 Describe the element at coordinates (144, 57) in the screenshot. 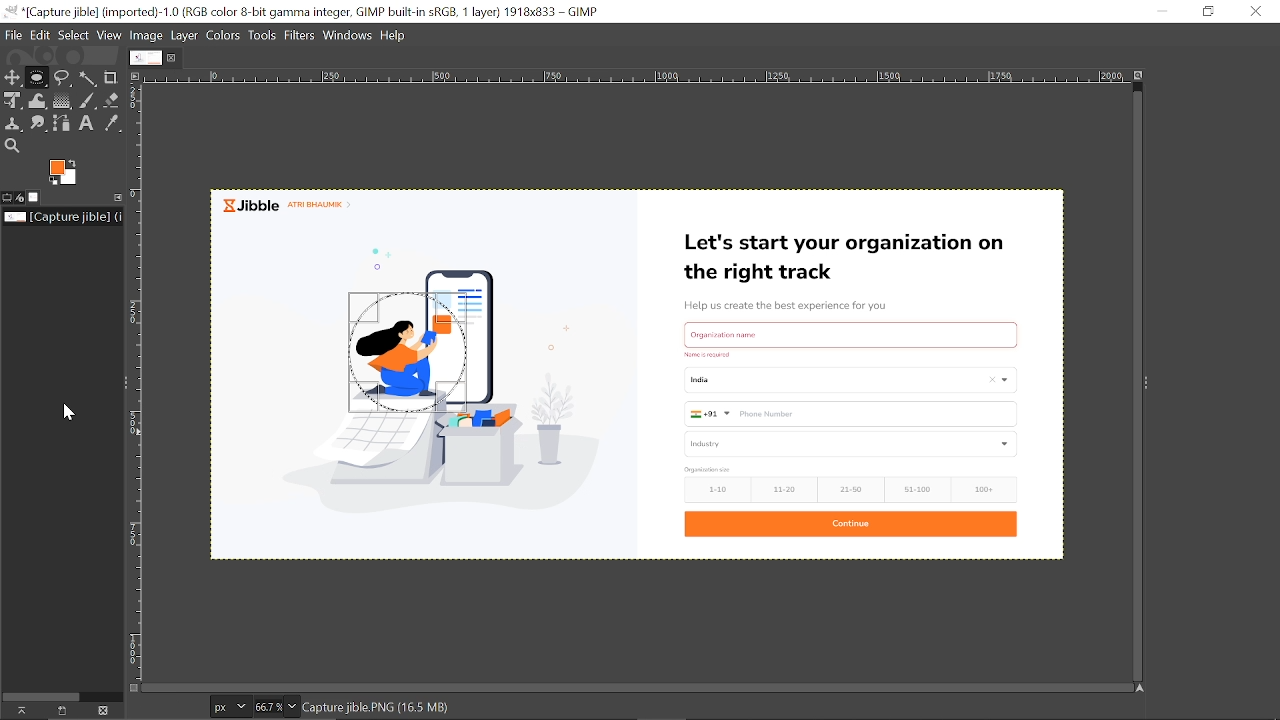

I see `Current Image` at that location.